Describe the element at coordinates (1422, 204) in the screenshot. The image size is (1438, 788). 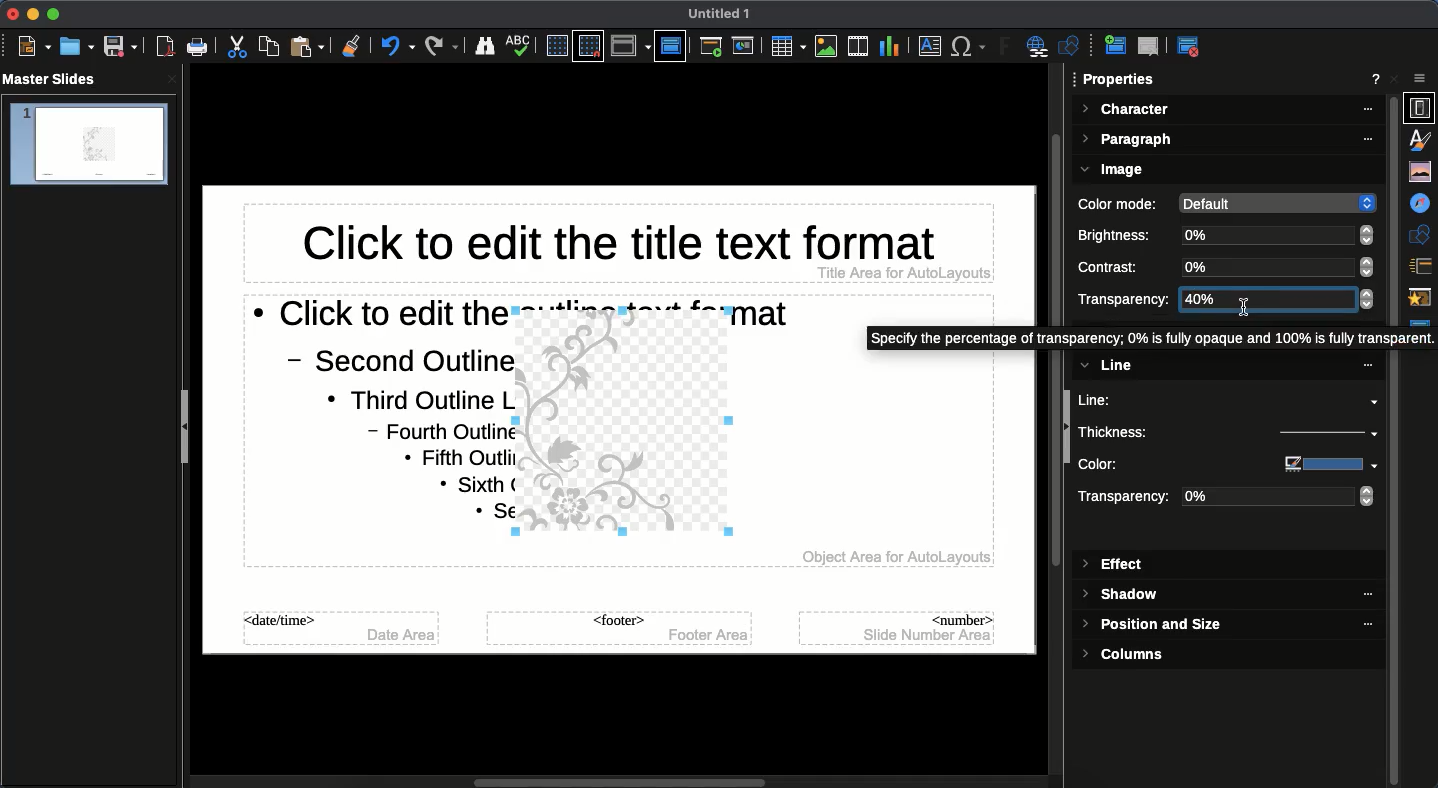
I see `Navigator` at that location.